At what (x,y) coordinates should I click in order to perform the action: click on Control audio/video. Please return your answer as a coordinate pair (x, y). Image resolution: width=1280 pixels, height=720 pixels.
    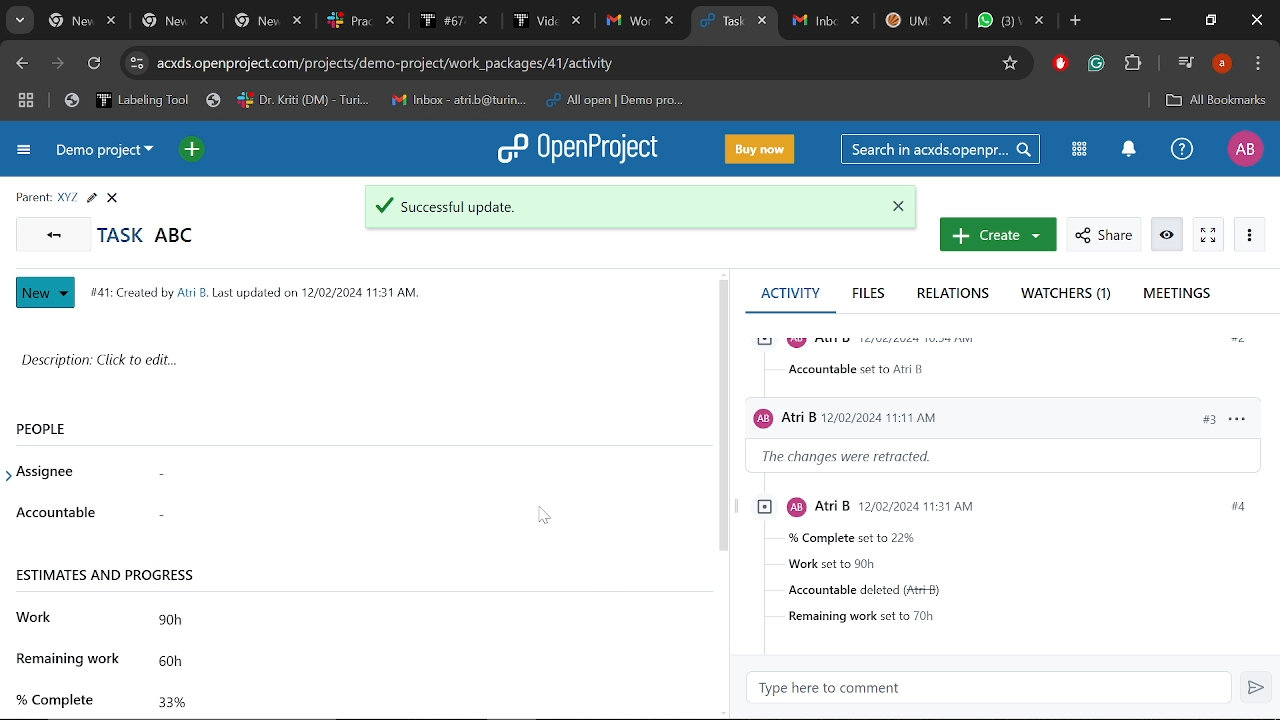
    Looking at the image, I should click on (1184, 62).